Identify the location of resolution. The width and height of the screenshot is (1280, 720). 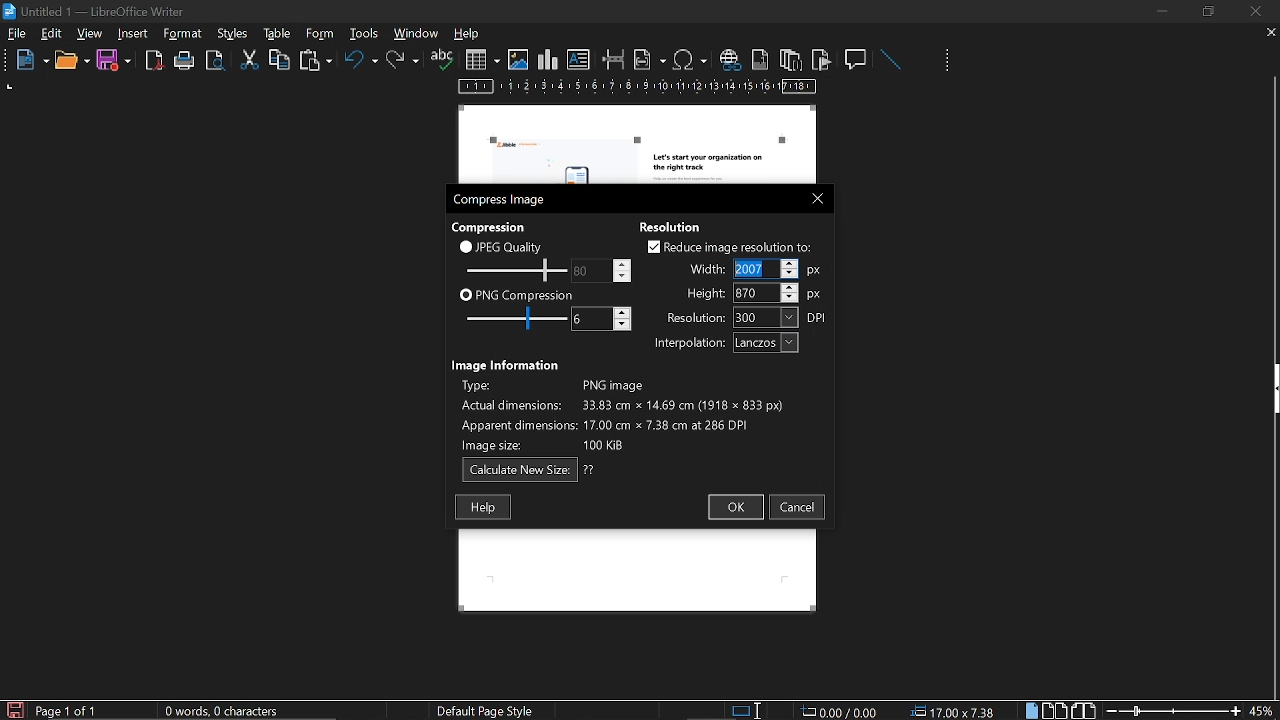
(747, 317).